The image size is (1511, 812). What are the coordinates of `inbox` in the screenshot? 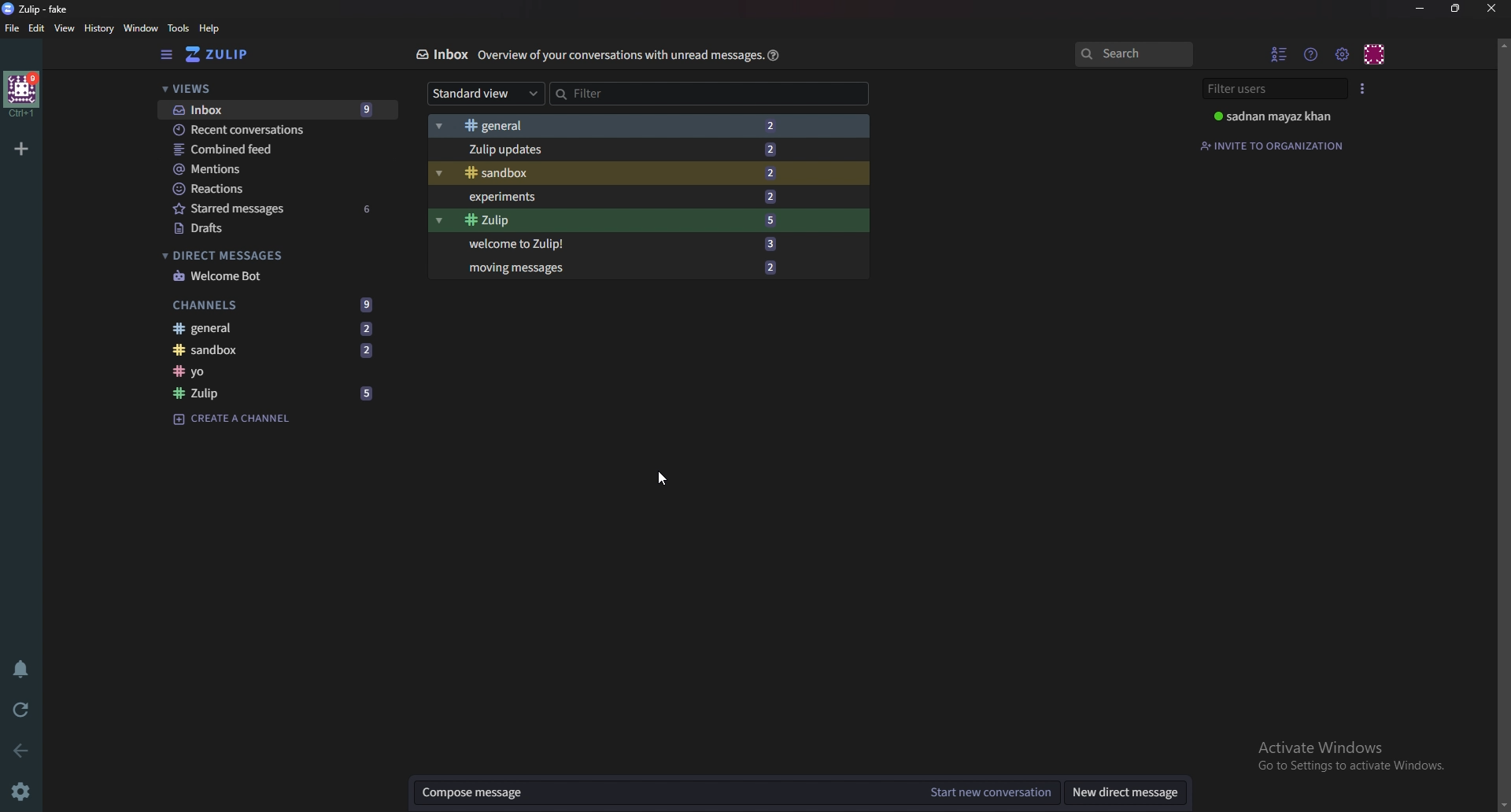 It's located at (272, 109).